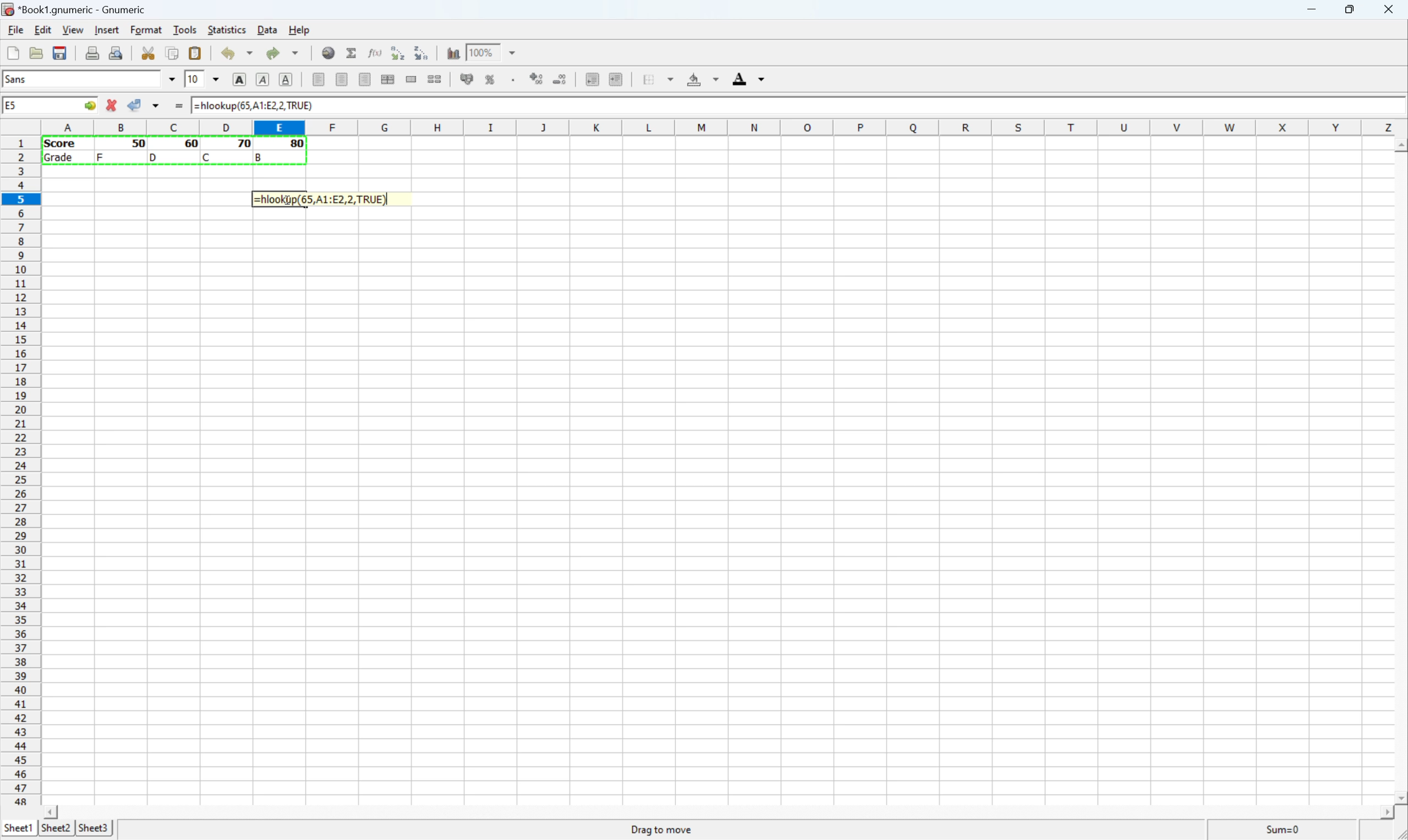 The height and width of the screenshot is (840, 1408). I want to click on Create a new workbook, so click(12, 51).